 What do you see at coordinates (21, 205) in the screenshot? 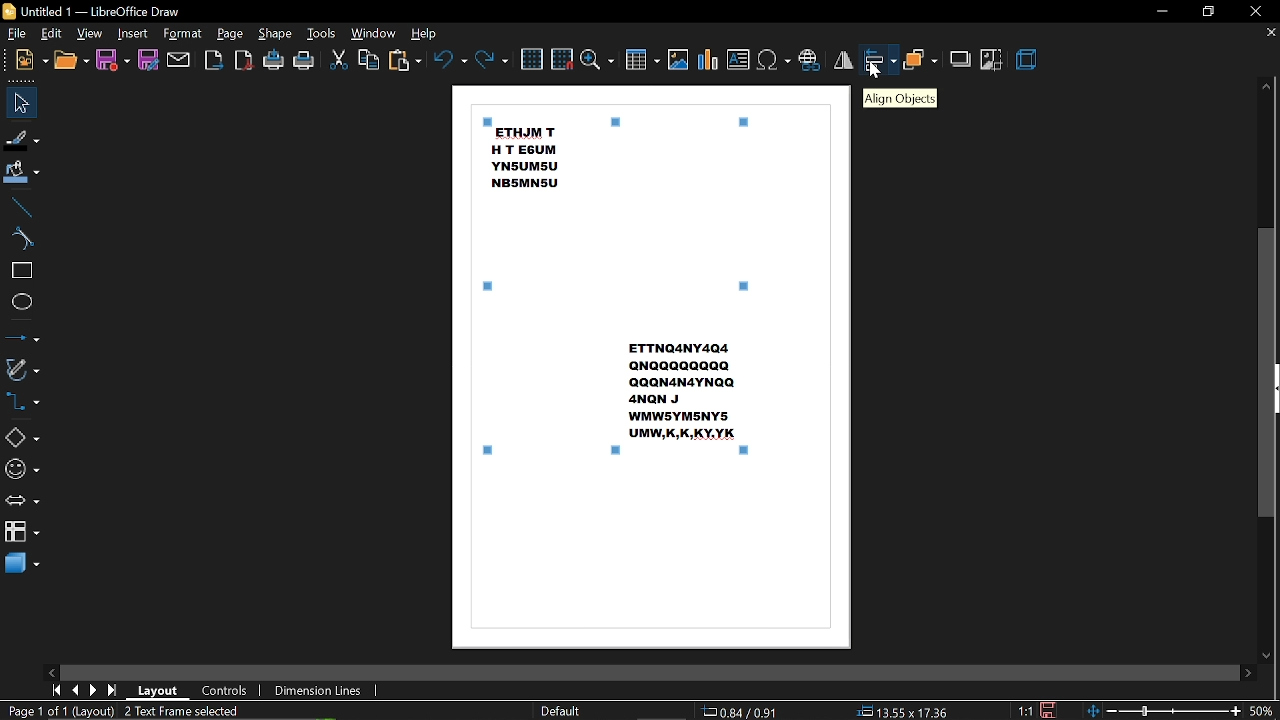
I see `line` at bounding box center [21, 205].